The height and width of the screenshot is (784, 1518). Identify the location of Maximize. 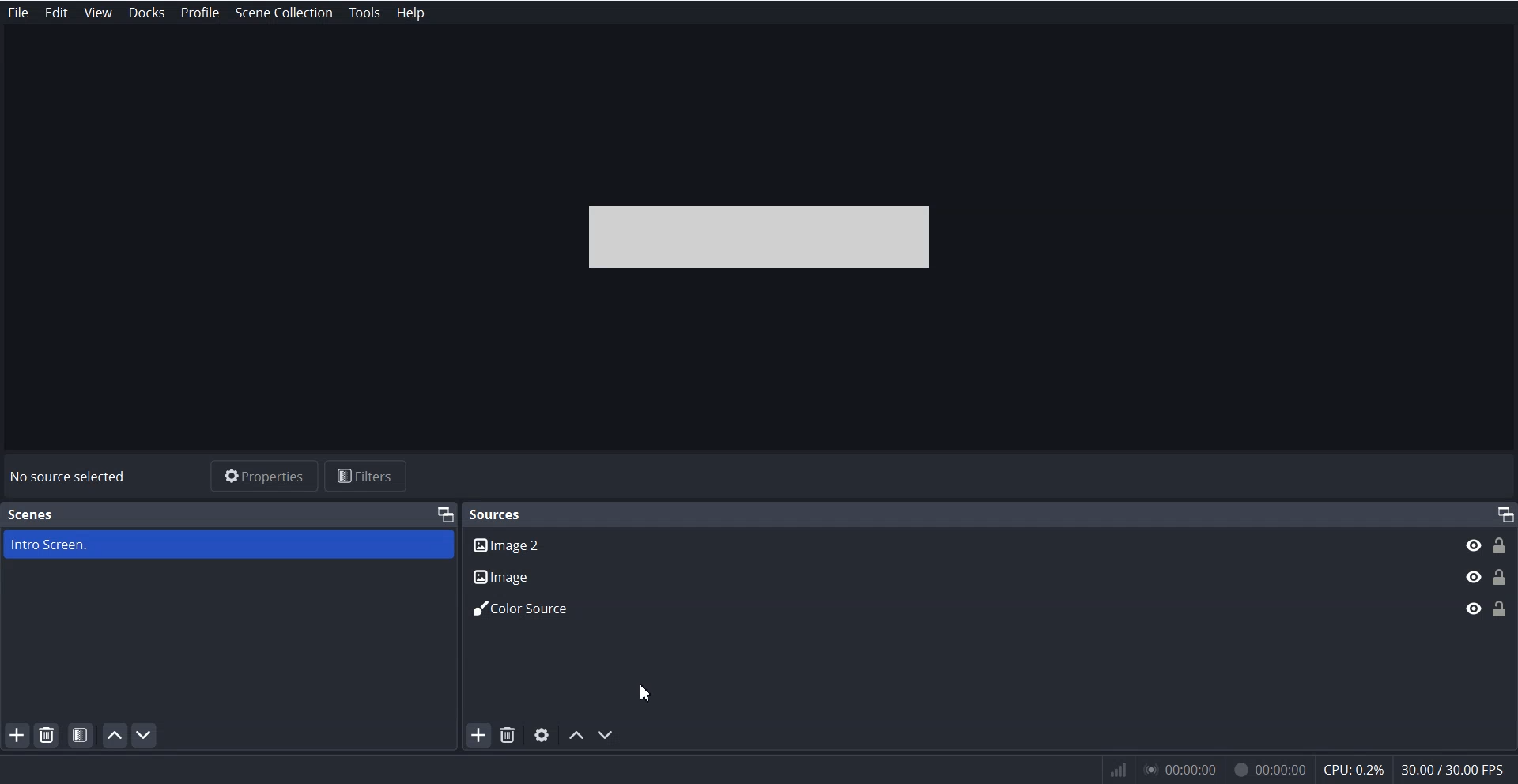
(444, 513).